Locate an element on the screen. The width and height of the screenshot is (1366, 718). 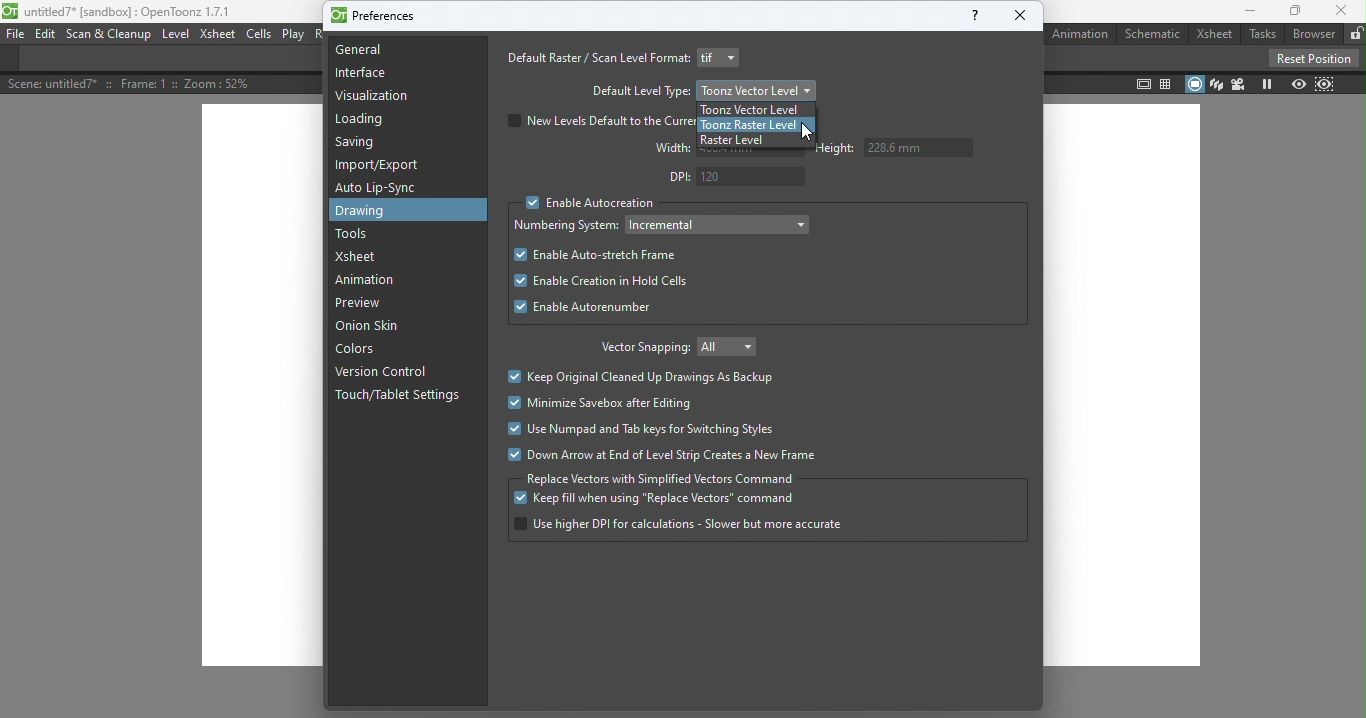
3D view is located at coordinates (1215, 83).